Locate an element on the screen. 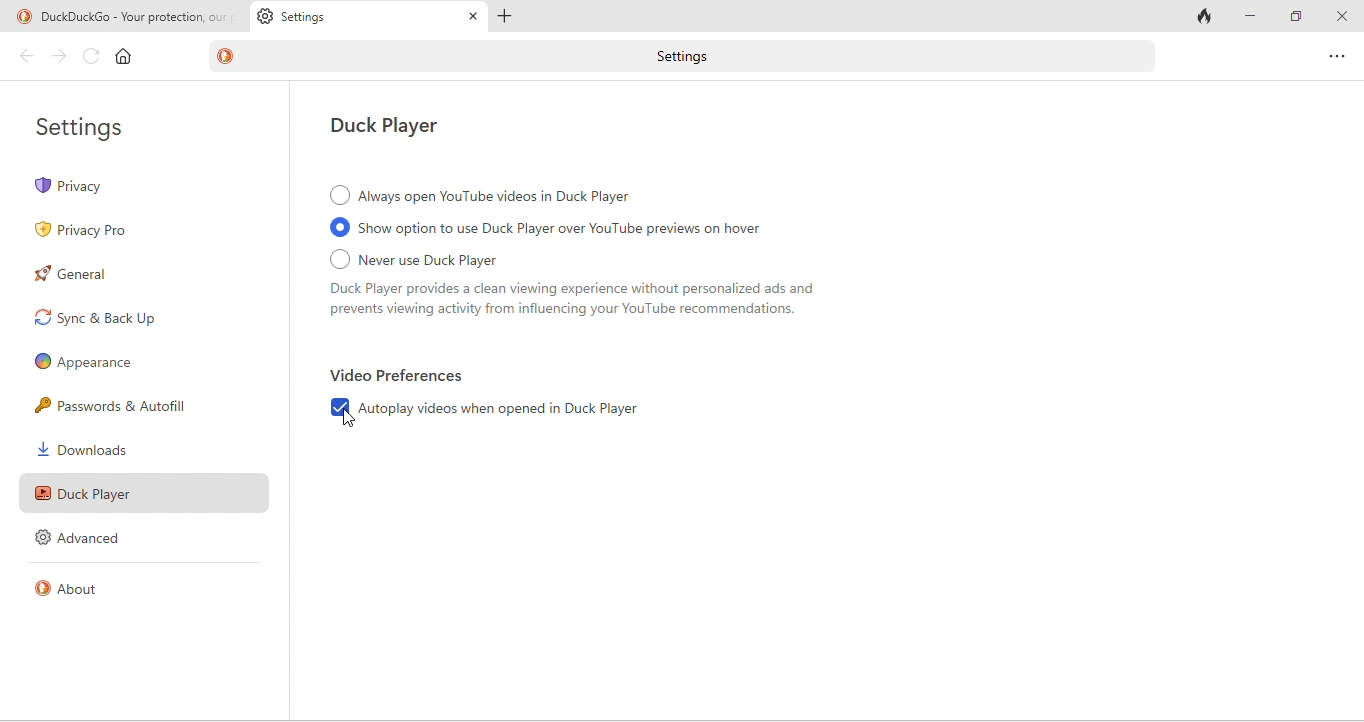 Image resolution: width=1364 pixels, height=722 pixels. downloads is located at coordinates (95, 449).